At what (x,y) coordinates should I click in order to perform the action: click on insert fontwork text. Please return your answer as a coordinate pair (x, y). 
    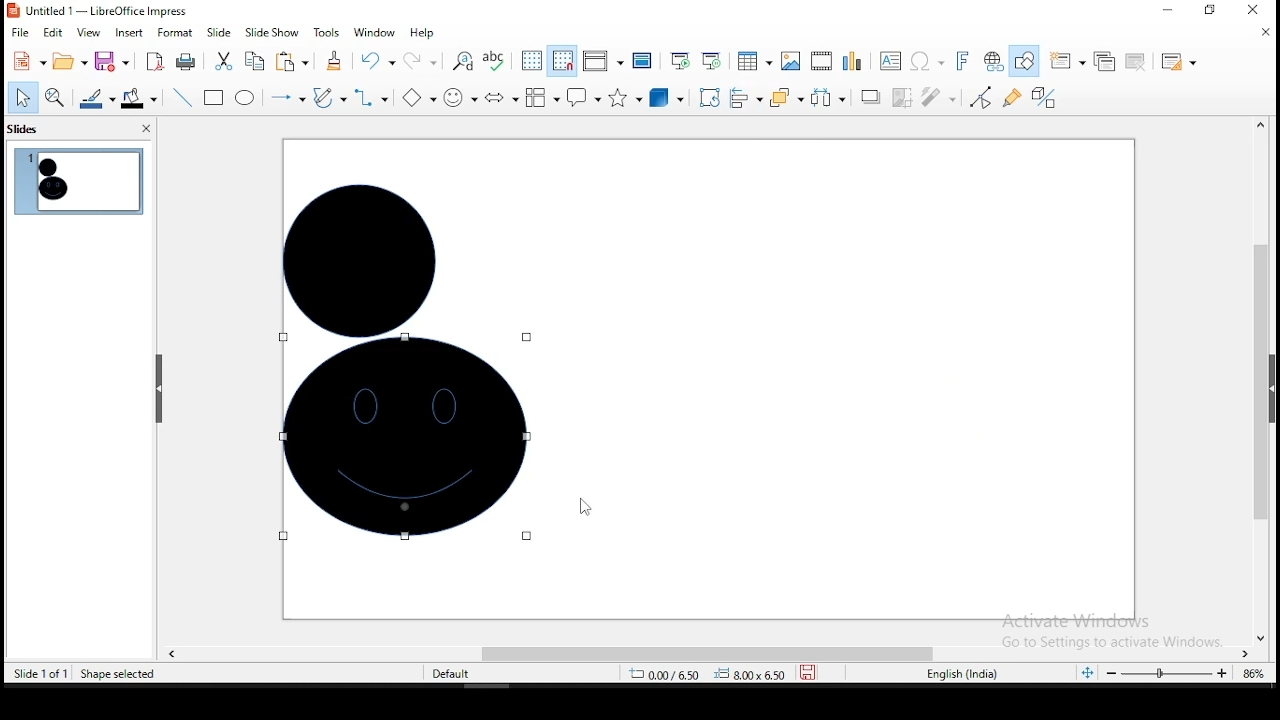
    Looking at the image, I should click on (964, 60).